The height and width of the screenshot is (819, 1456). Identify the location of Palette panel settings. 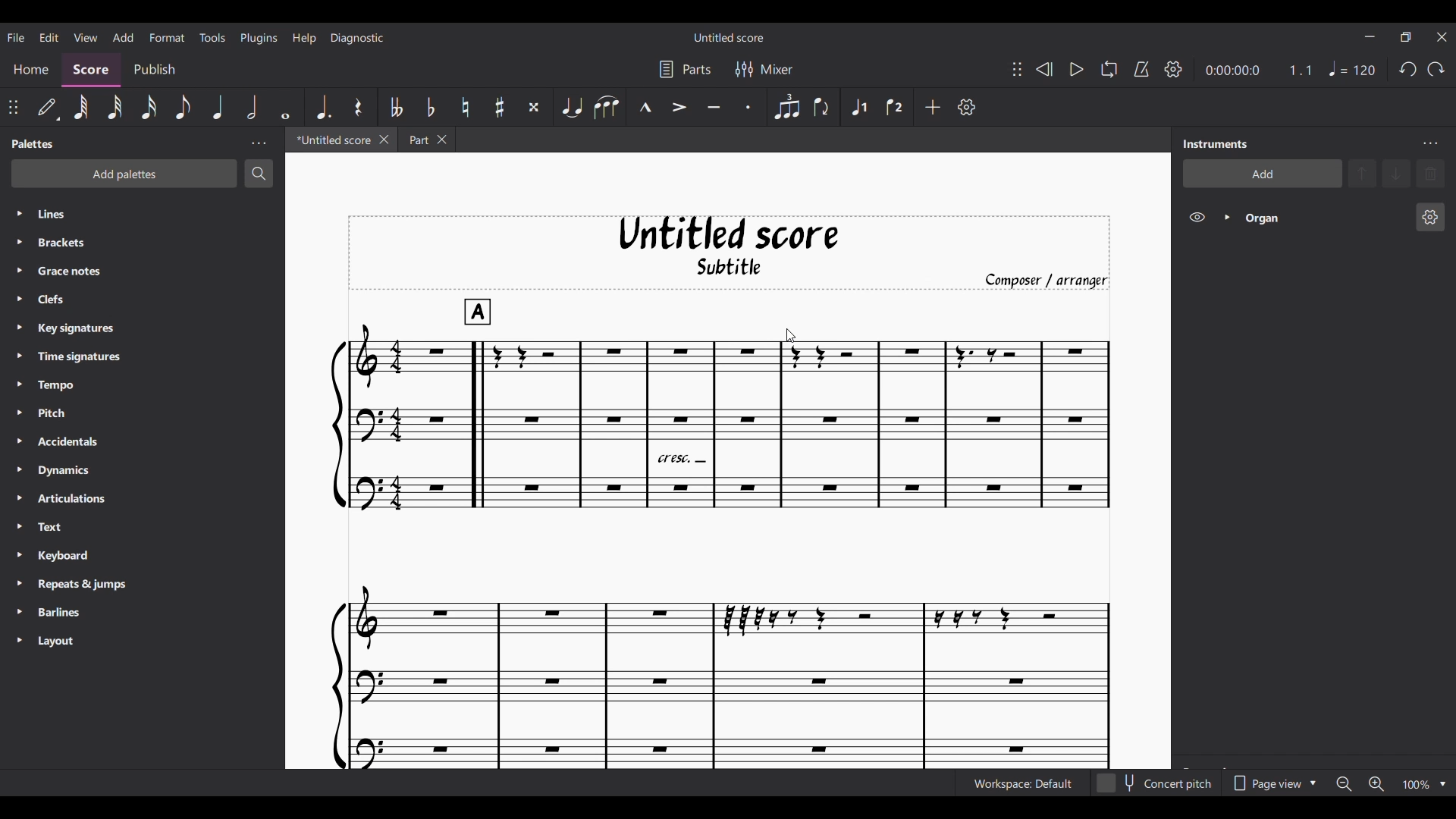
(259, 144).